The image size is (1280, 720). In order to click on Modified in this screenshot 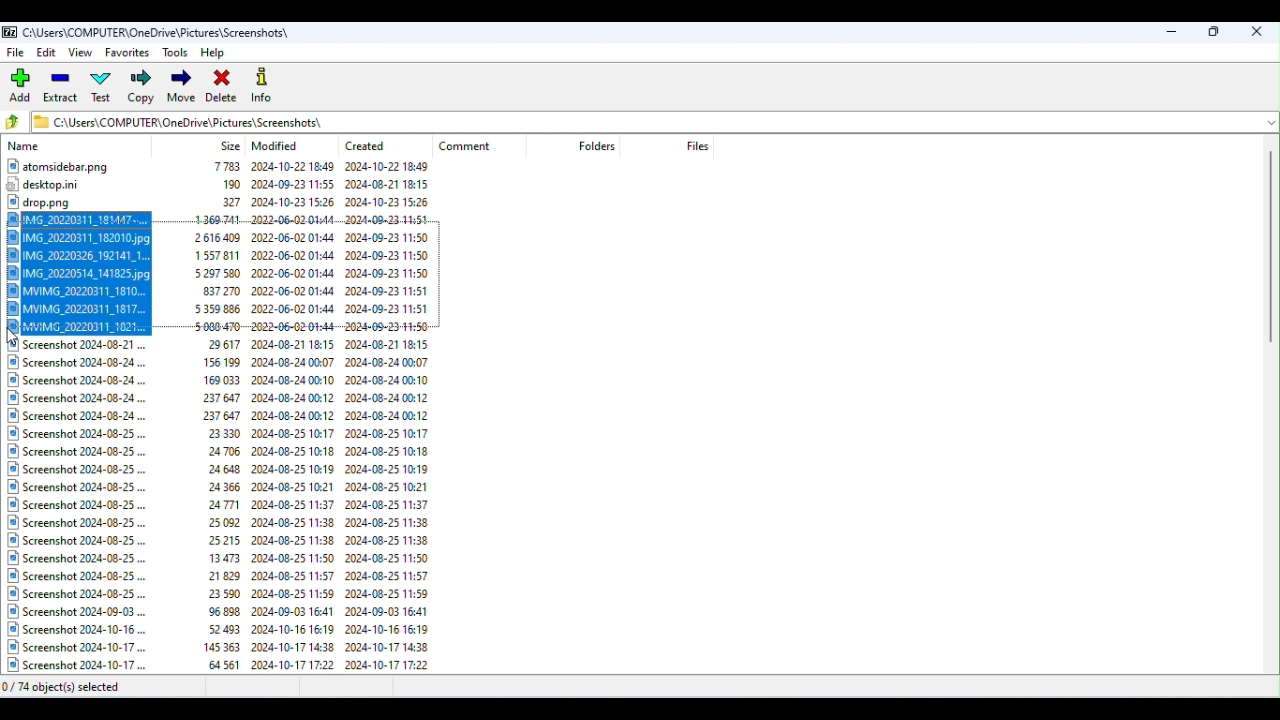, I will do `click(279, 146)`.